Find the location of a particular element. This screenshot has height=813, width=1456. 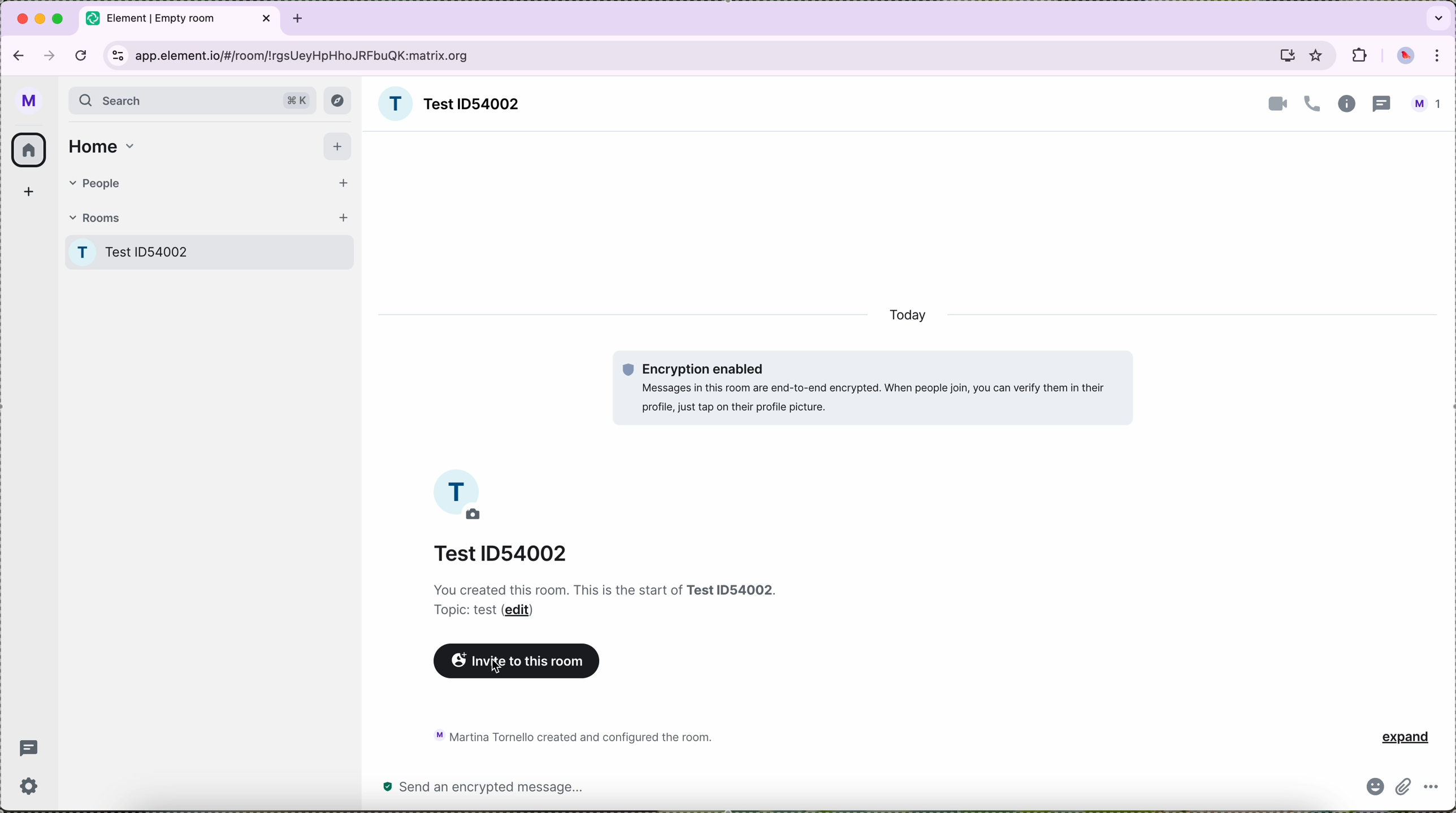

encryption enabled is located at coordinates (872, 386).